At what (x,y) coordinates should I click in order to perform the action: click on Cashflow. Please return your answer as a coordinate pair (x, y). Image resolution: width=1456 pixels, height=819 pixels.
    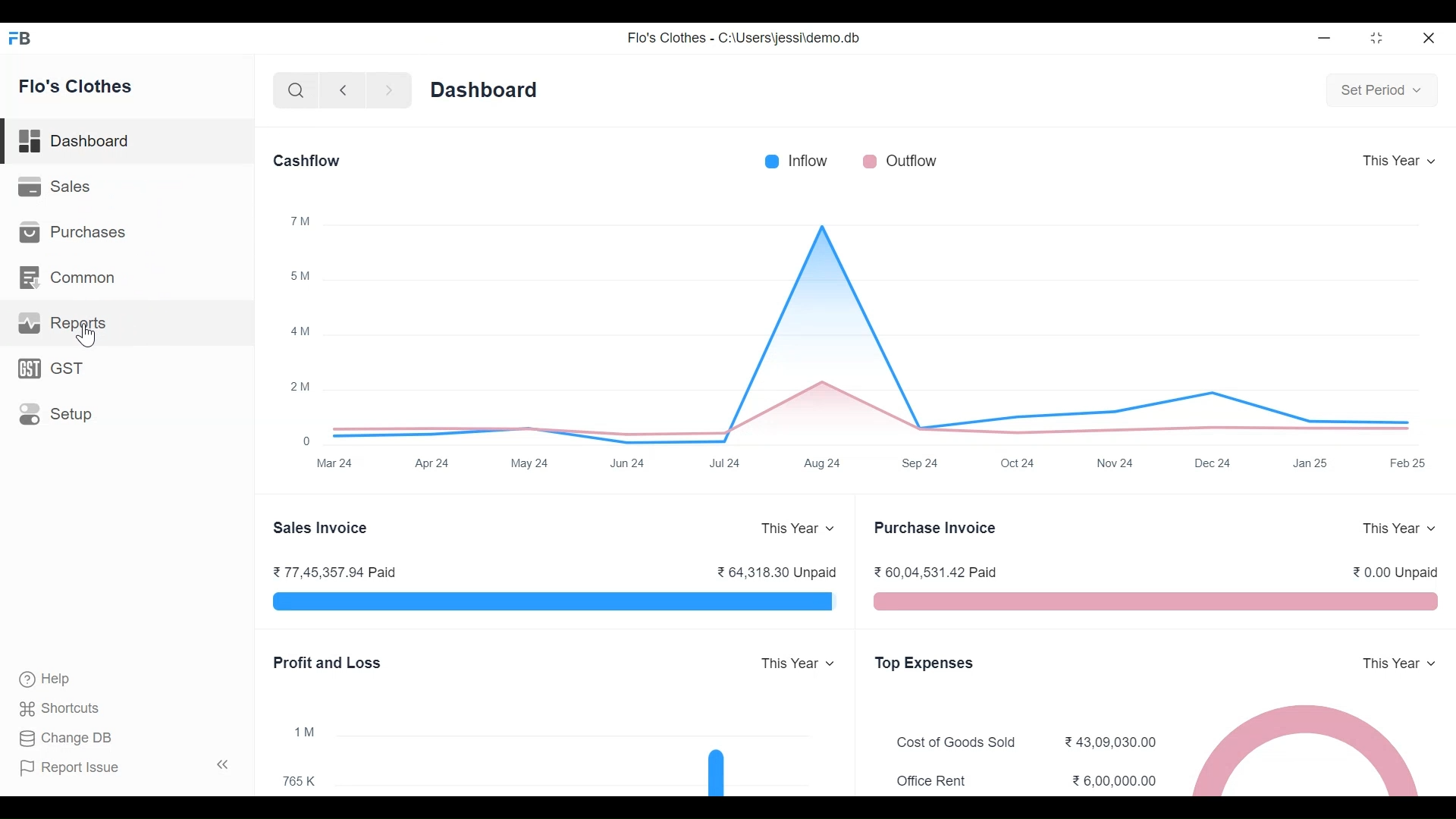
    Looking at the image, I should click on (308, 160).